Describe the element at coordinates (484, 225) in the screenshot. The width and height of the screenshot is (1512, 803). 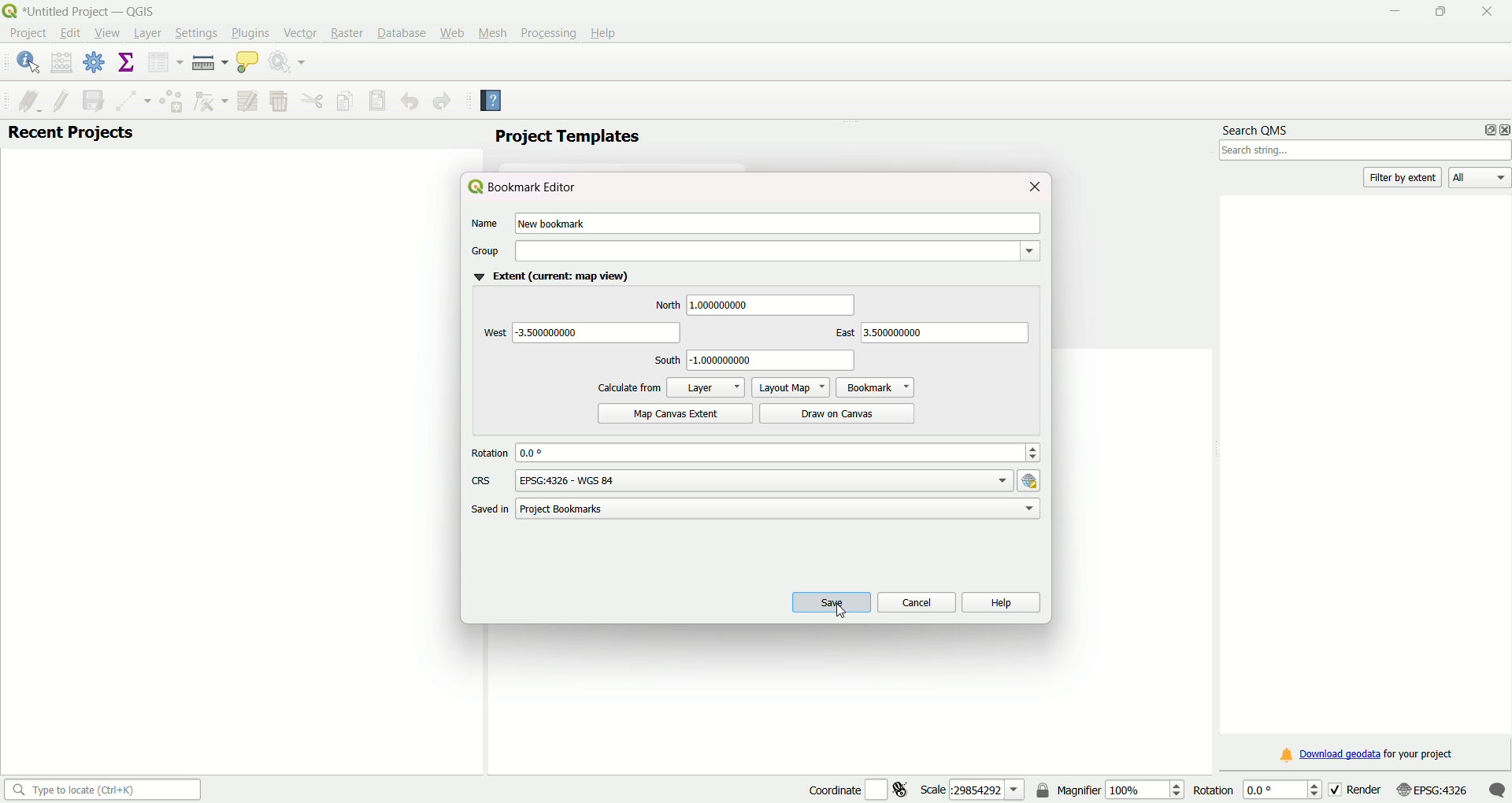
I see `Name` at that location.